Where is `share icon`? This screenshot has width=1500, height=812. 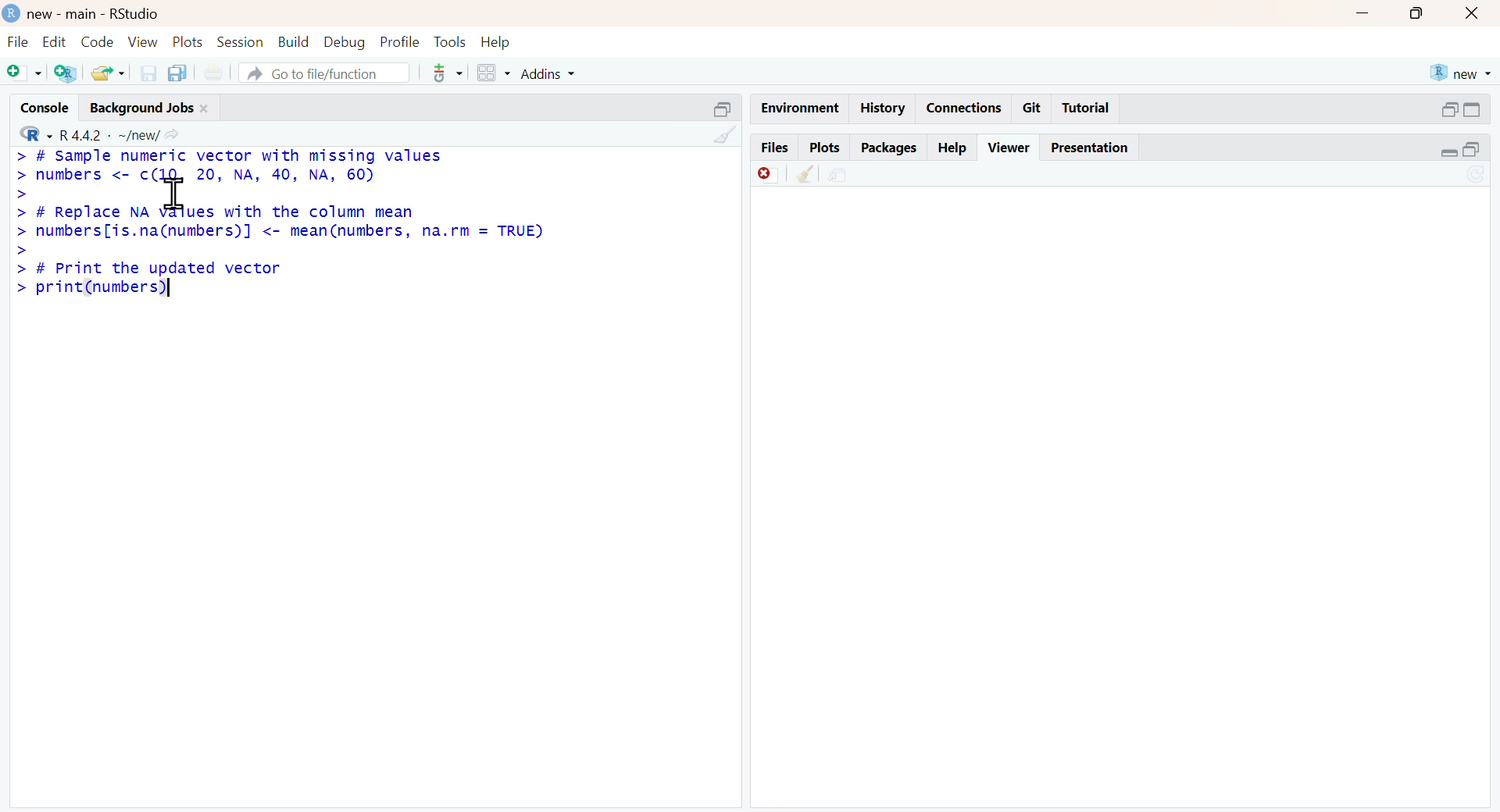 share icon is located at coordinates (171, 135).